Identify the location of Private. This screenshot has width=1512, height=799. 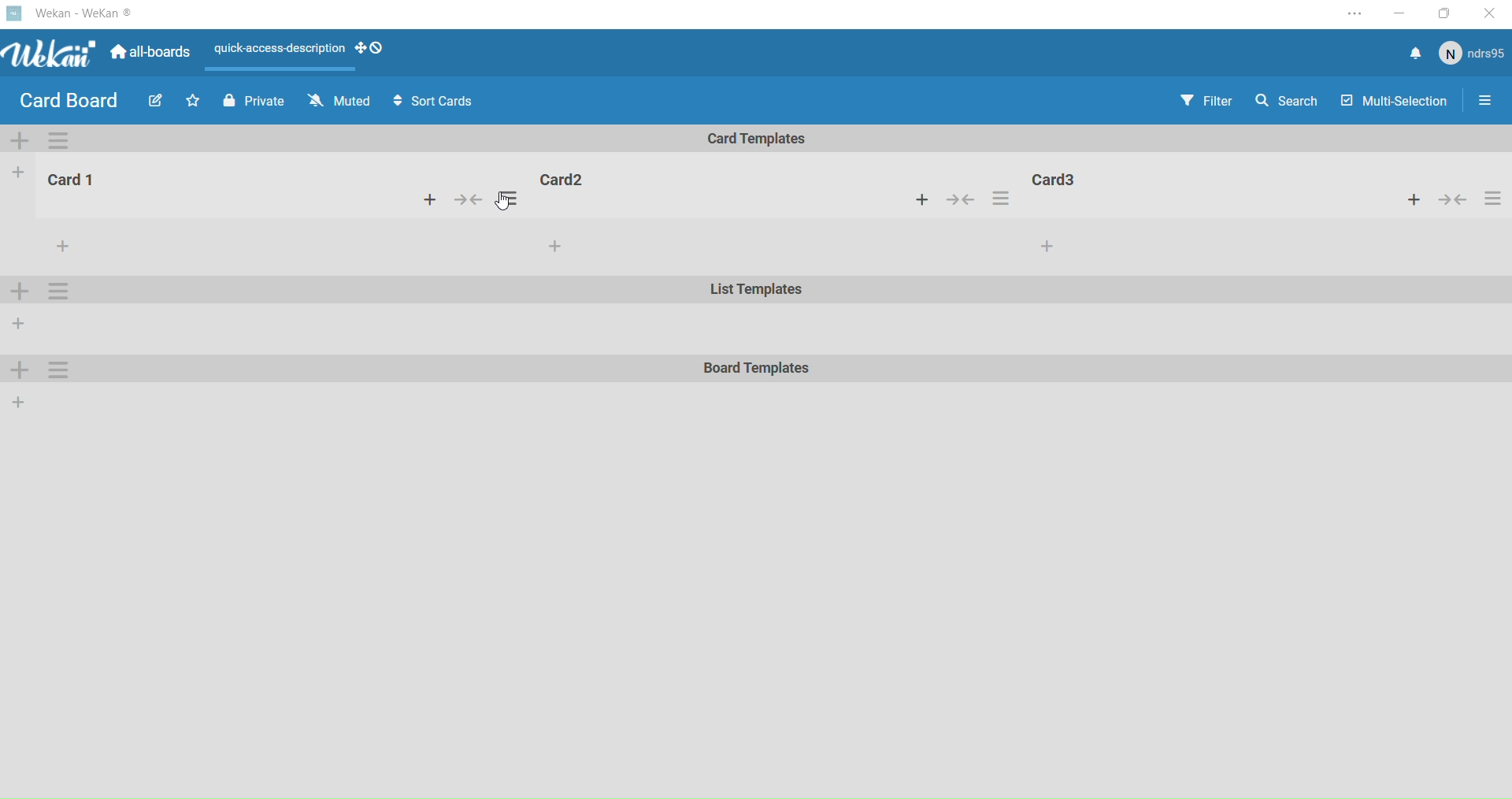
(251, 102).